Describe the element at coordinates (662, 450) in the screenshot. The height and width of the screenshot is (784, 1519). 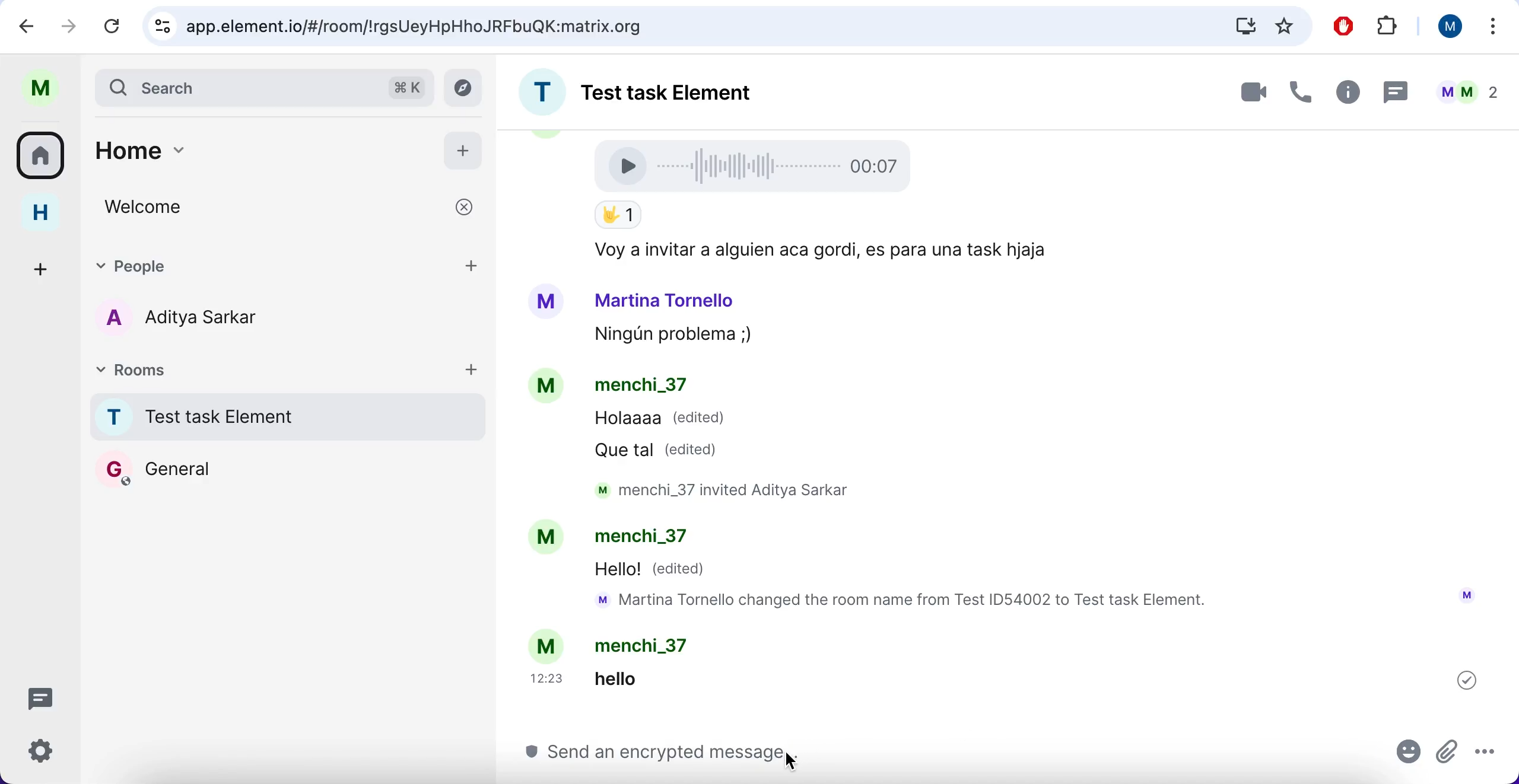
I see `Que tal (edited)` at that location.